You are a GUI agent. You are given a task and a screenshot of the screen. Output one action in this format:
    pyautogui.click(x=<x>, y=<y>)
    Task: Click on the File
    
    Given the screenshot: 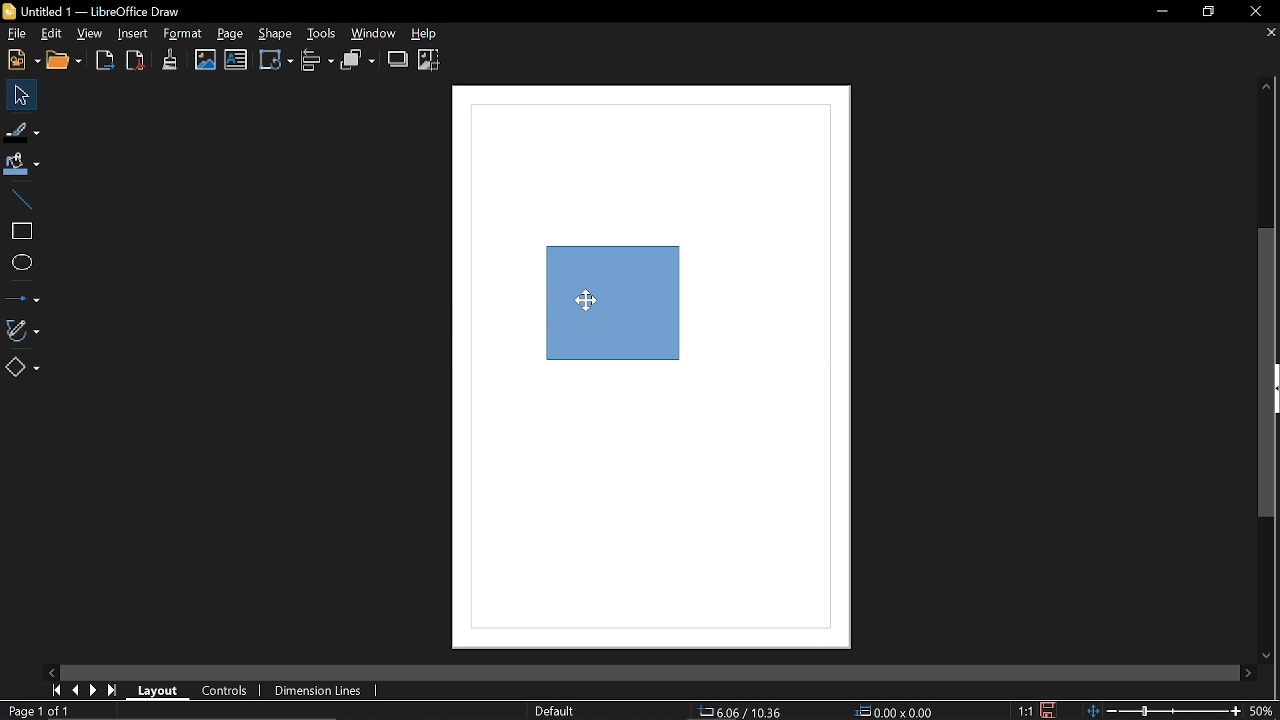 What is the action you would take?
    pyautogui.click(x=15, y=34)
    